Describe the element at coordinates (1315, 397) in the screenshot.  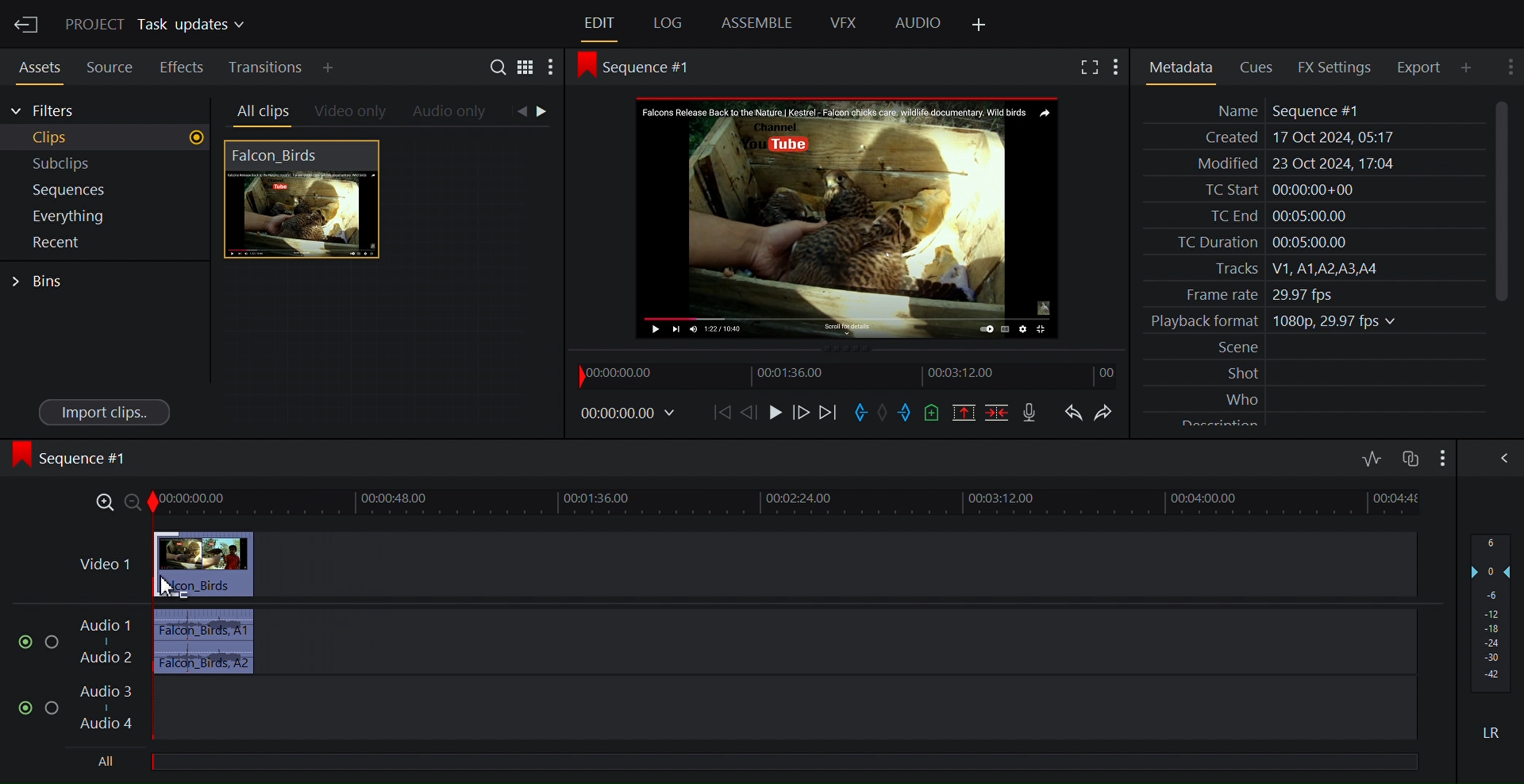
I see `Who` at that location.